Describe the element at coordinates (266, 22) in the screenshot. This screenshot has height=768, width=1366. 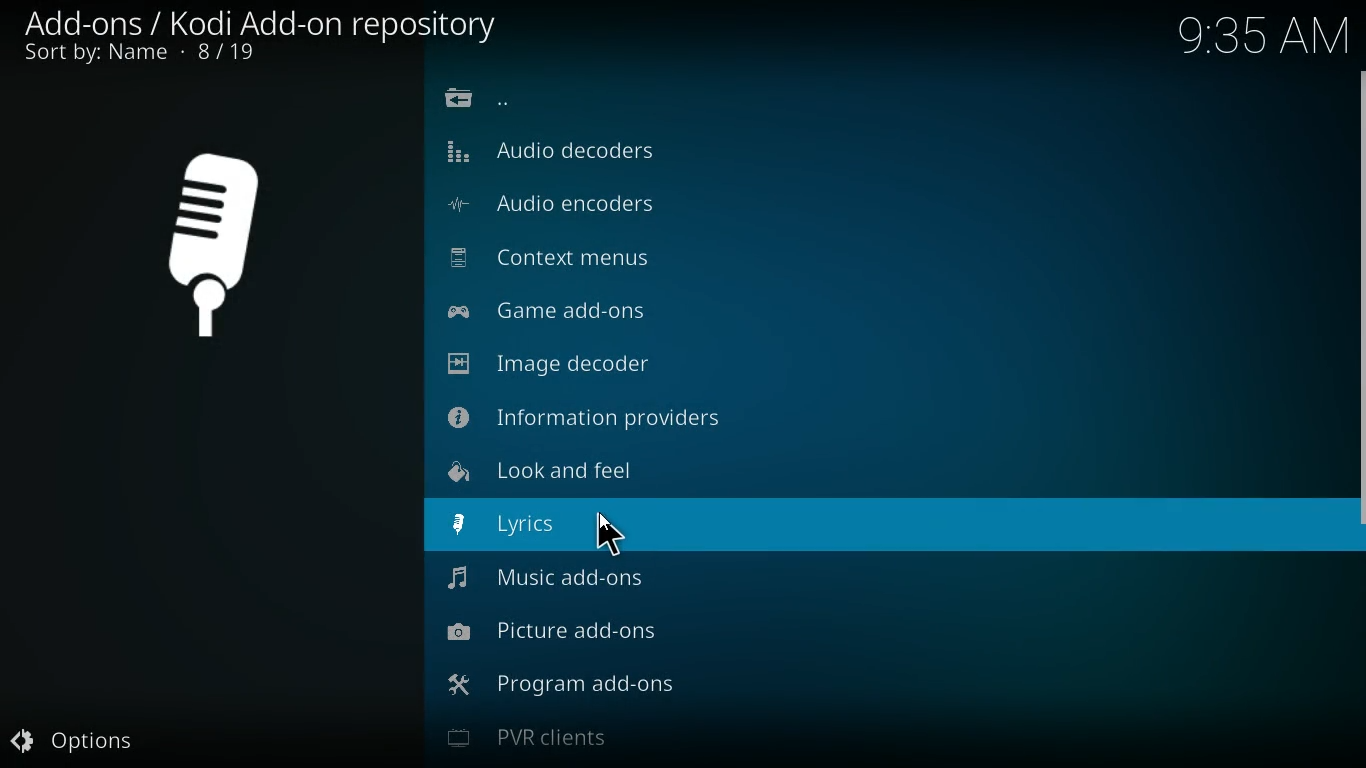
I see `add-ons` at that location.